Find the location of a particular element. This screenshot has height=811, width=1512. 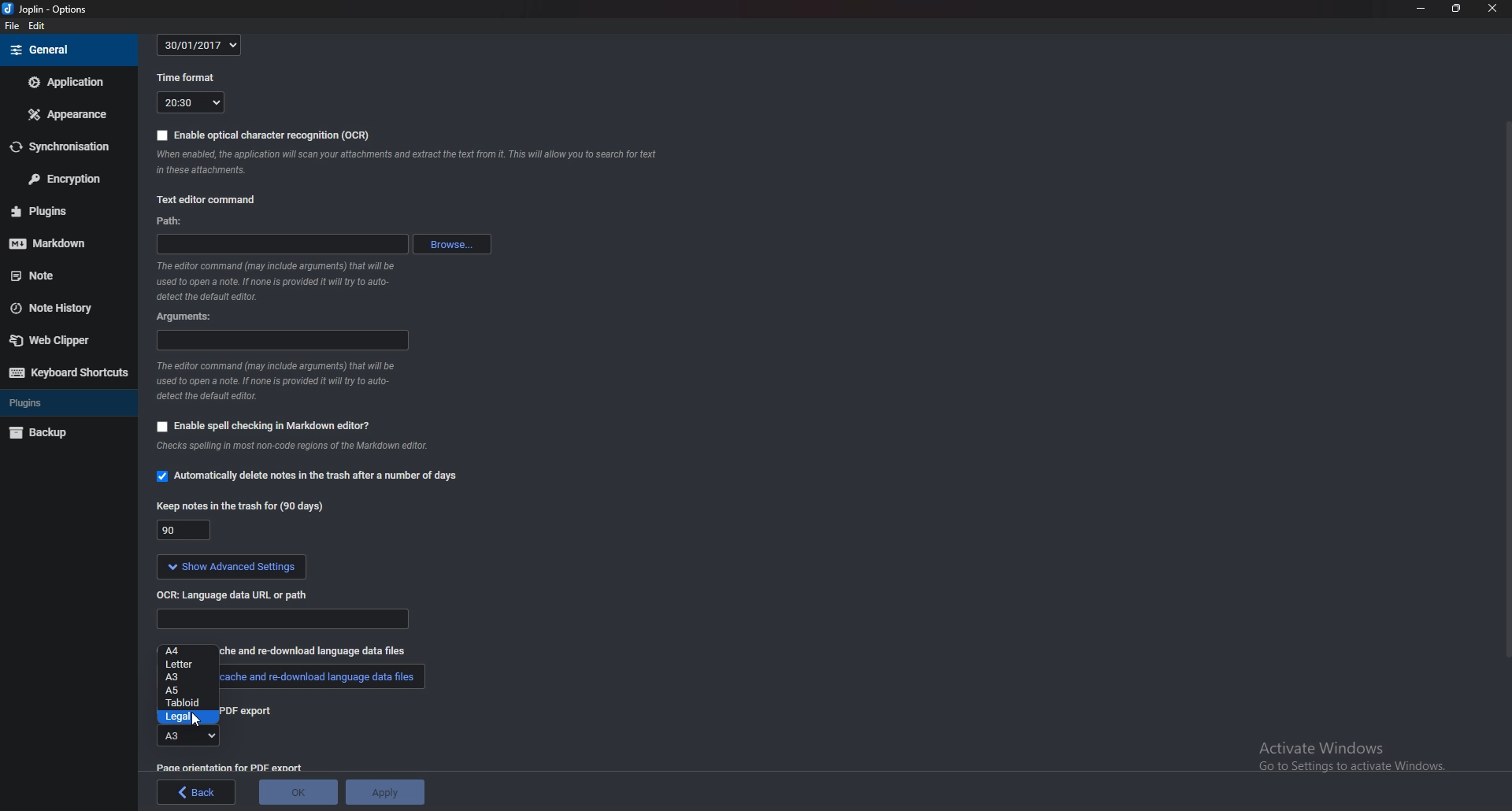

path is located at coordinates (282, 243).